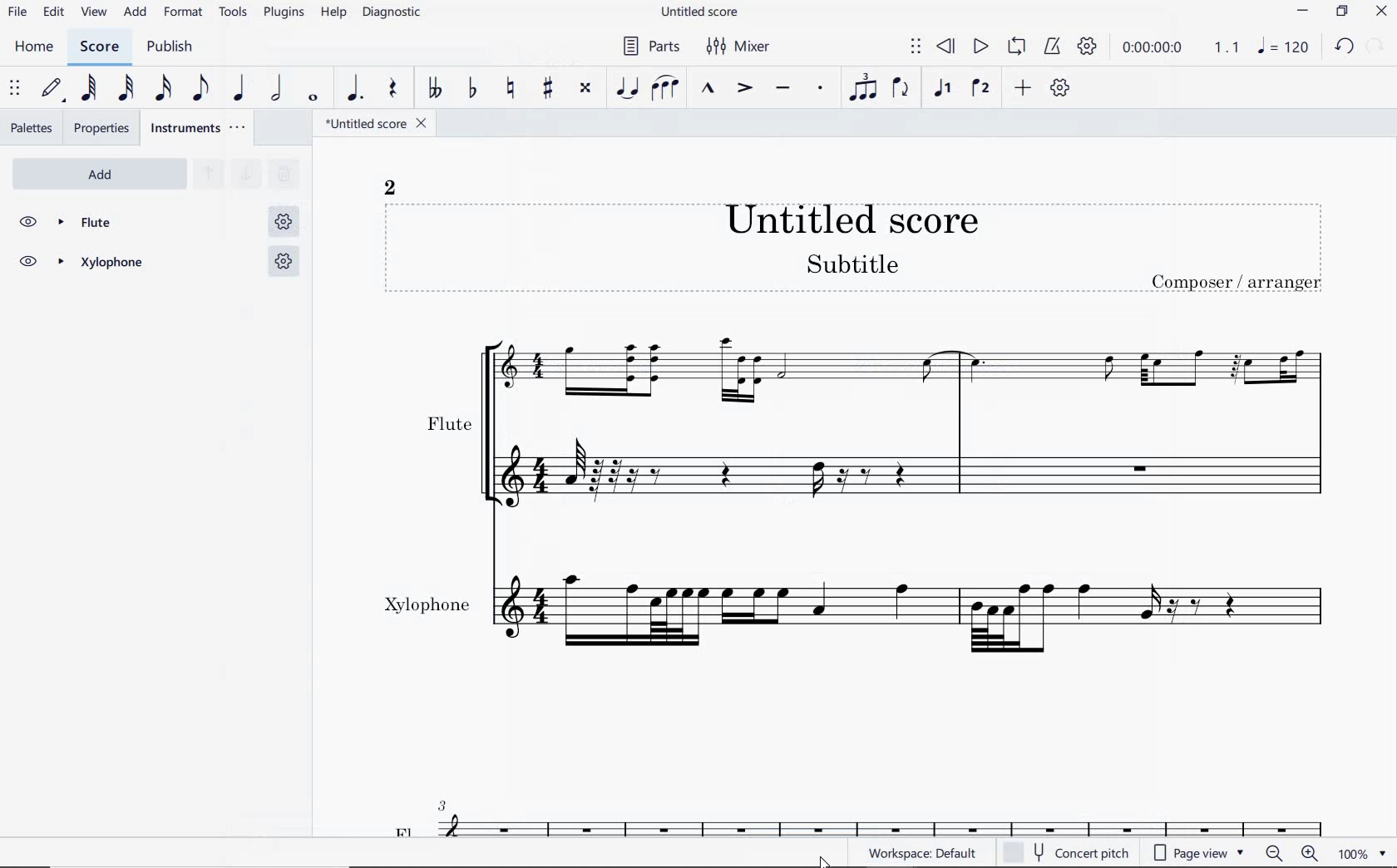  Describe the element at coordinates (1060, 89) in the screenshot. I see `CUSTOMIZE TOOLBAR` at that location.